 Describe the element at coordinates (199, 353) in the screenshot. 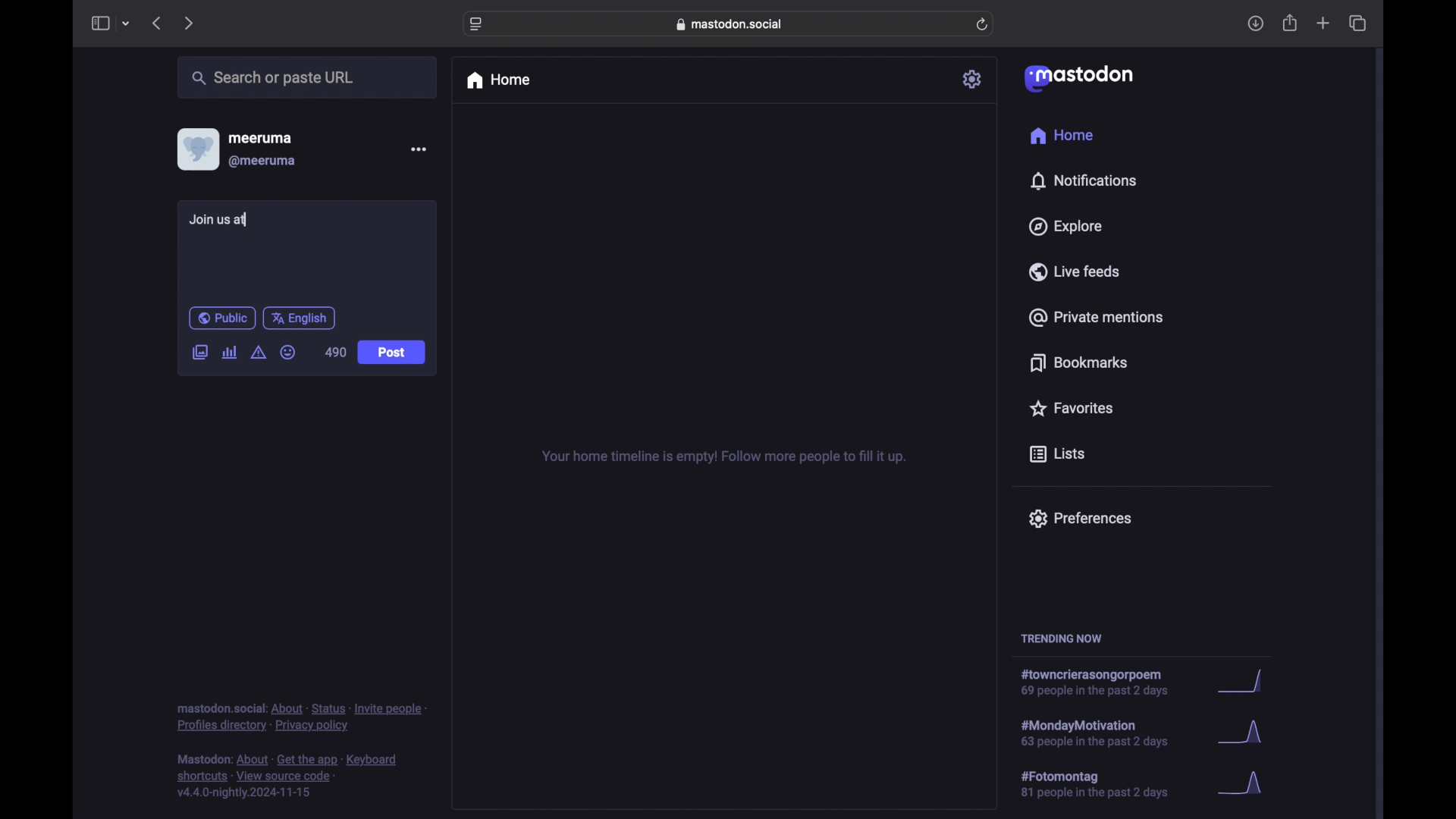

I see `add image` at that location.